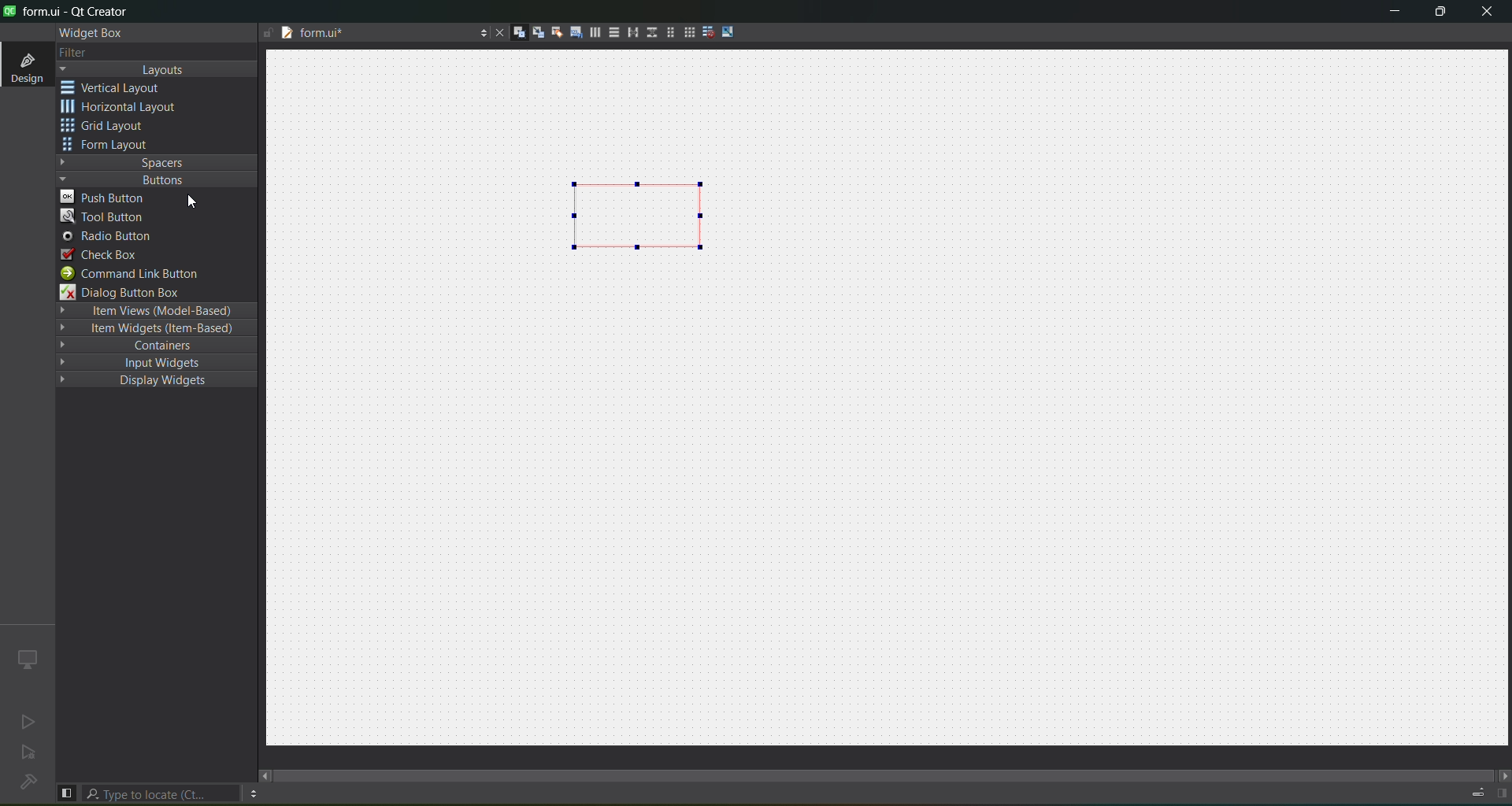  Describe the element at coordinates (576, 35) in the screenshot. I see `edit tab` at that location.